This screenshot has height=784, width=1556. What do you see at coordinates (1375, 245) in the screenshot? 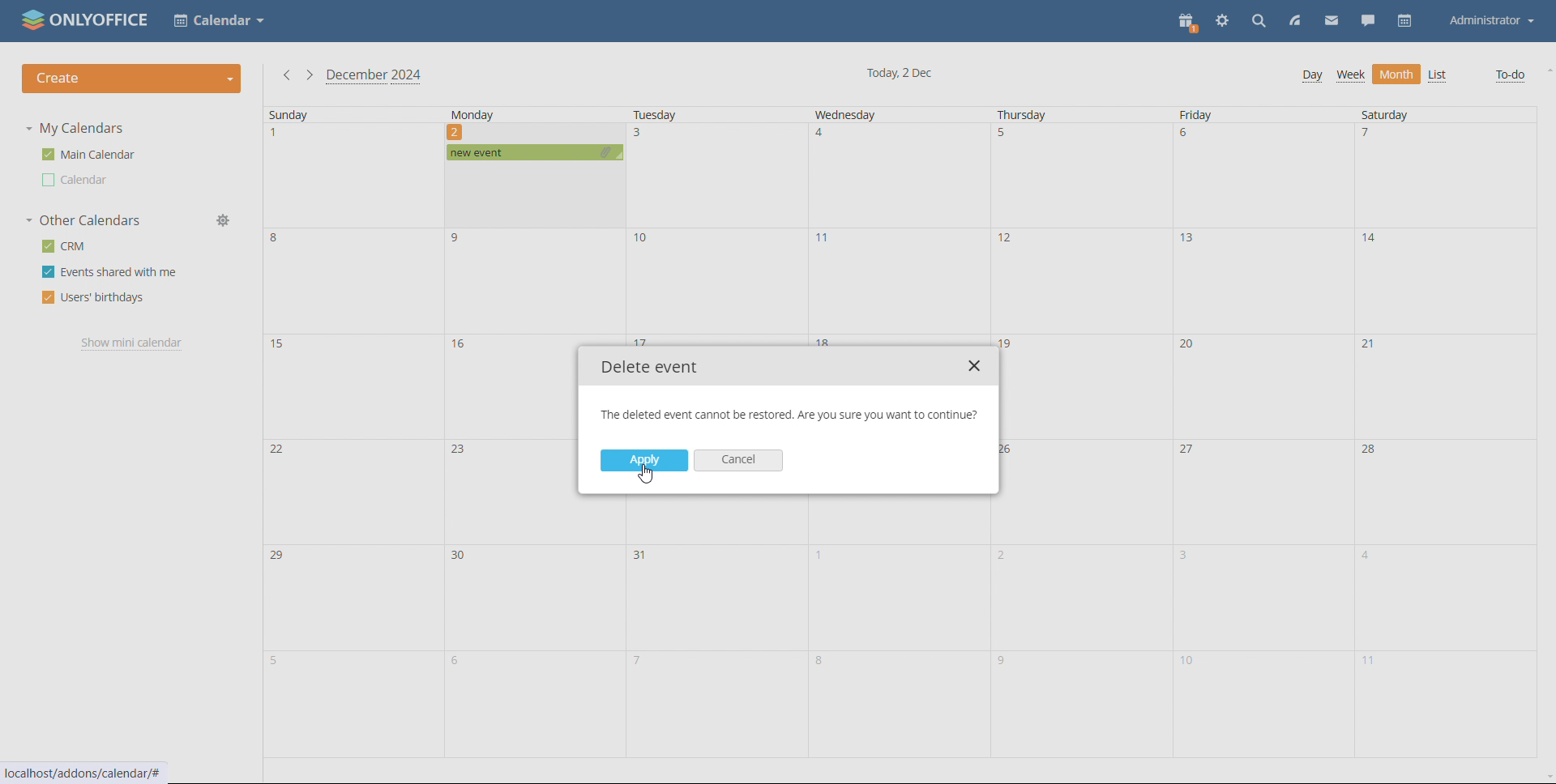
I see `14` at bounding box center [1375, 245].